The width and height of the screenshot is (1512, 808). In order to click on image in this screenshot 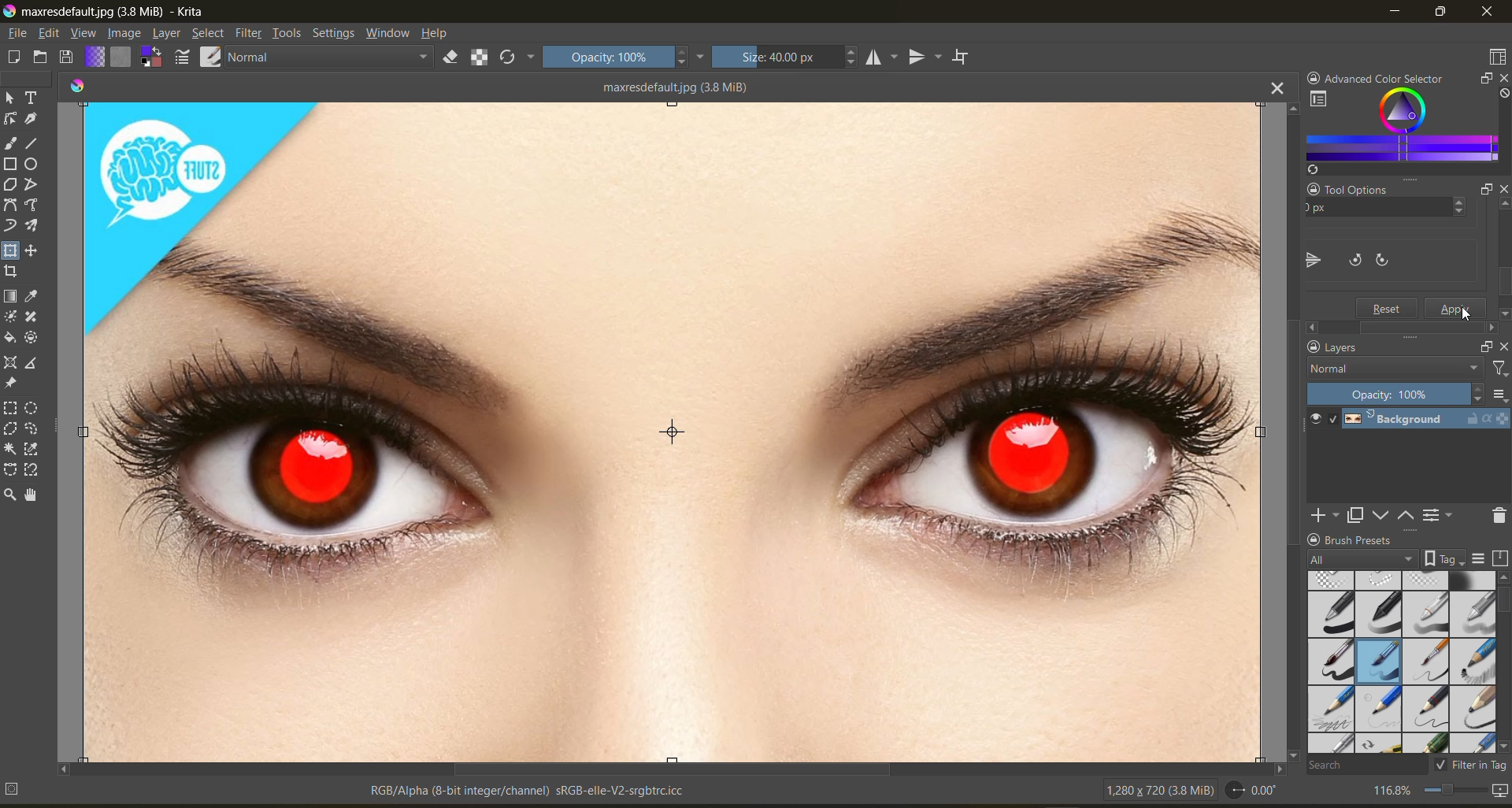, I will do `click(126, 33)`.